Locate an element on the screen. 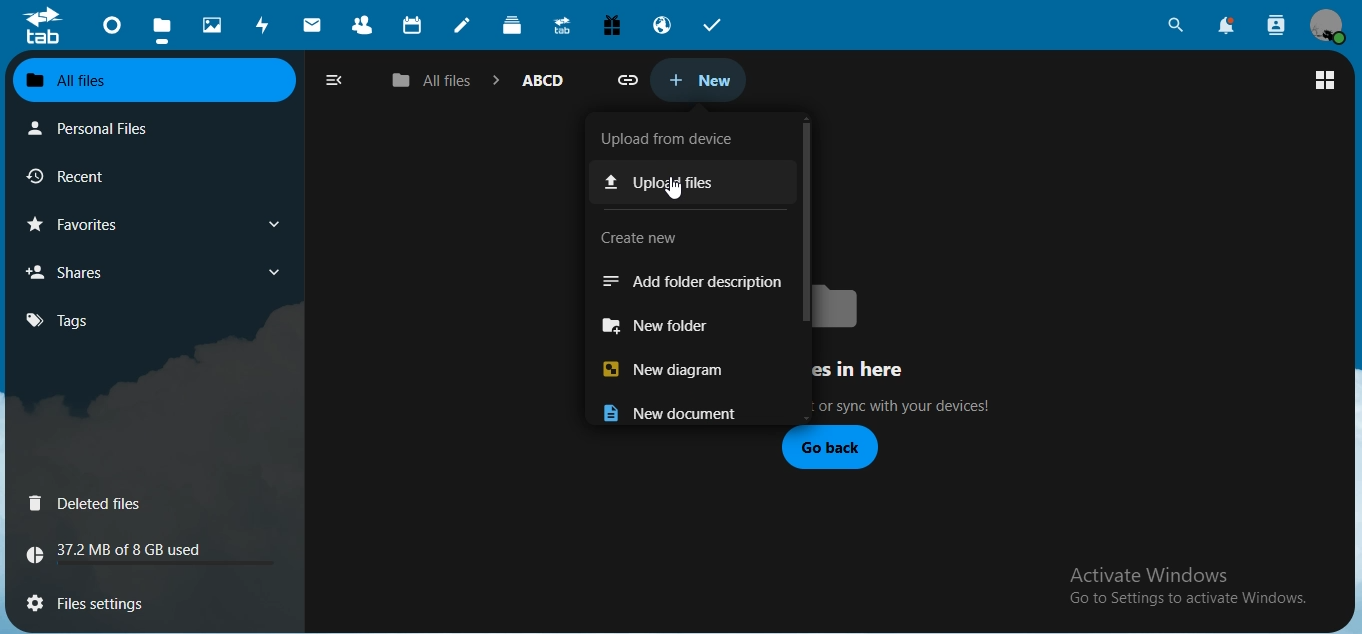 This screenshot has height=634, width=1362. deleted files is located at coordinates (89, 504).